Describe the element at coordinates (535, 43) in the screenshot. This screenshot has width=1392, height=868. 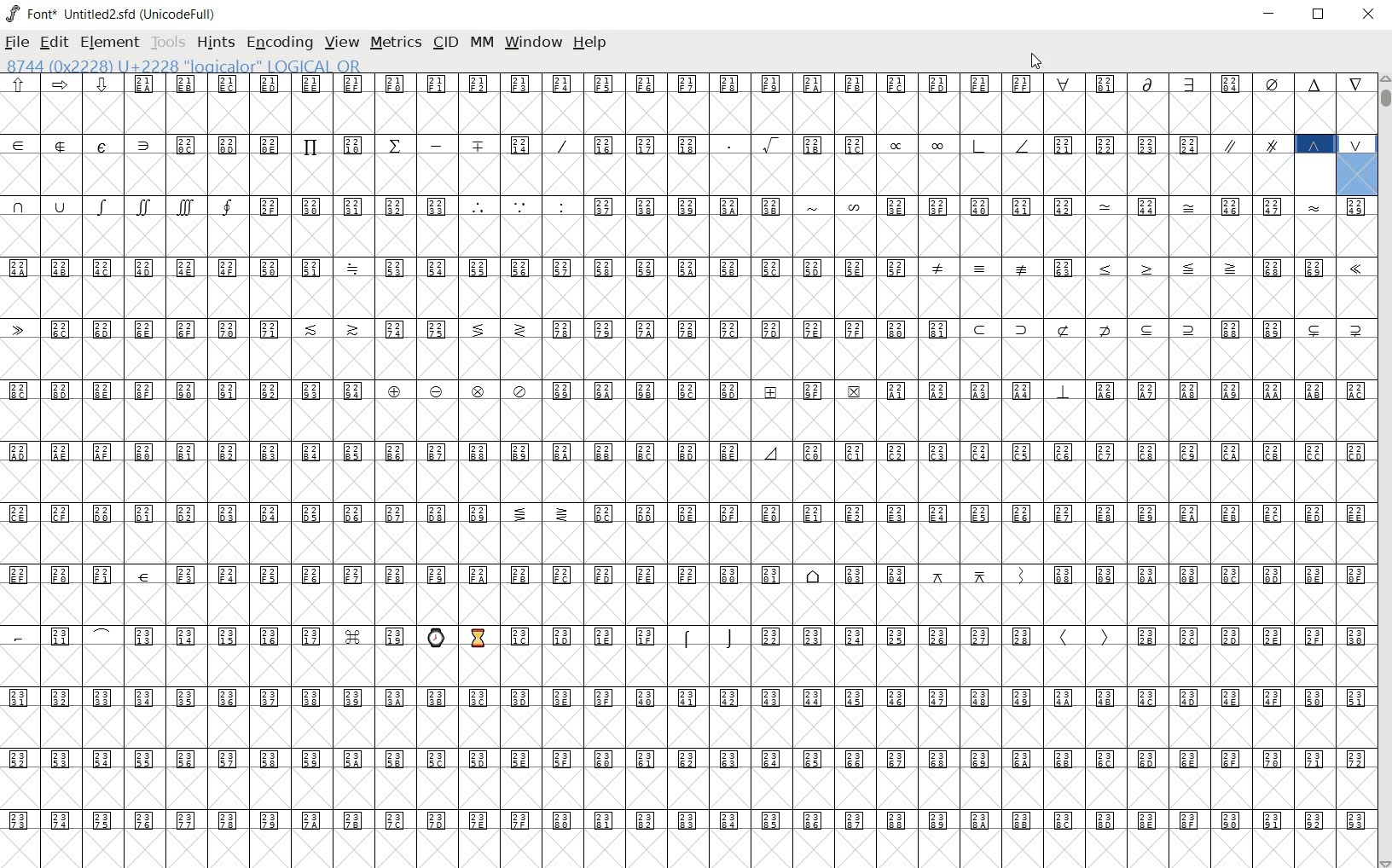
I see `window` at that location.